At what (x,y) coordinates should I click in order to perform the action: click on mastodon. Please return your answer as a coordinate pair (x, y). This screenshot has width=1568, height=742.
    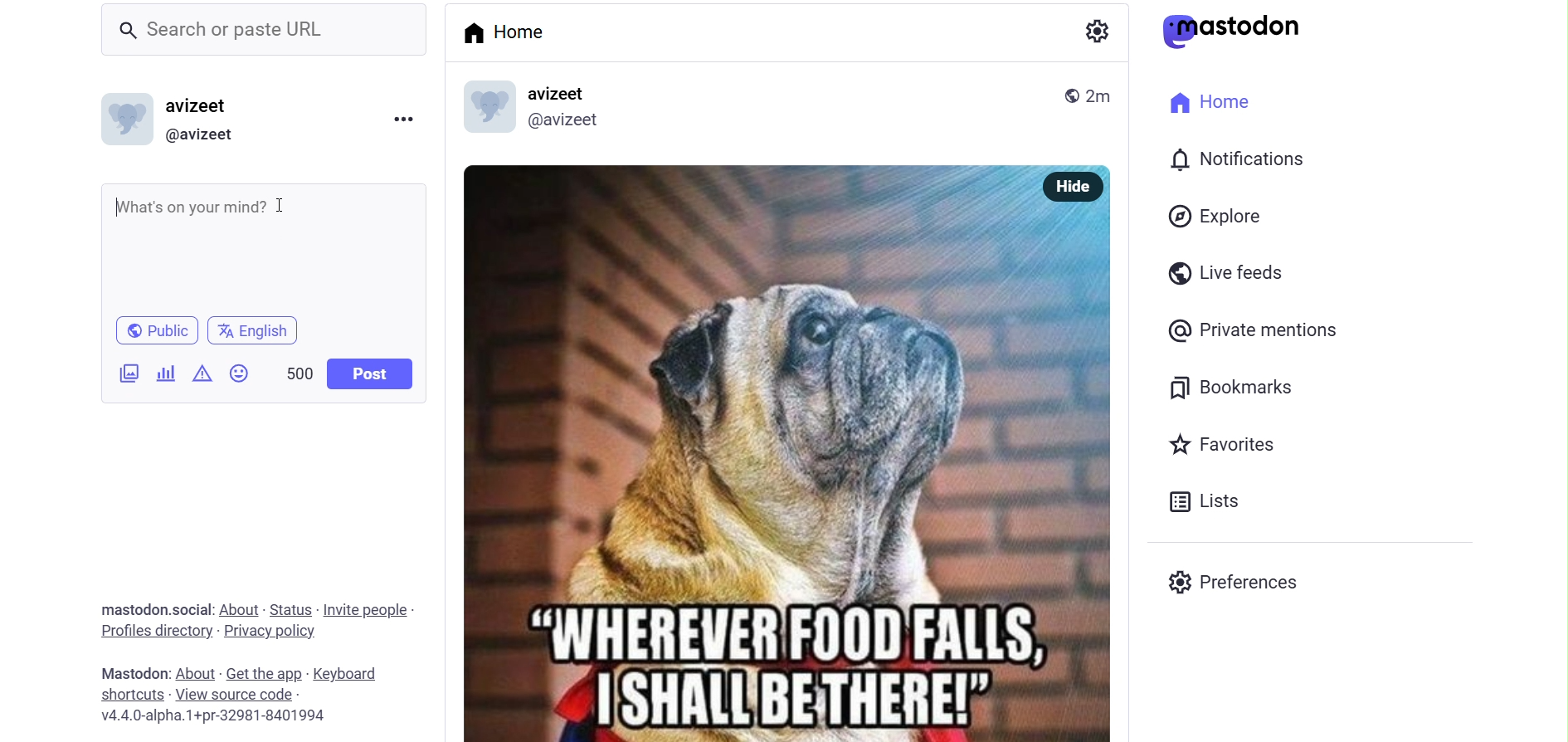
    Looking at the image, I should click on (134, 671).